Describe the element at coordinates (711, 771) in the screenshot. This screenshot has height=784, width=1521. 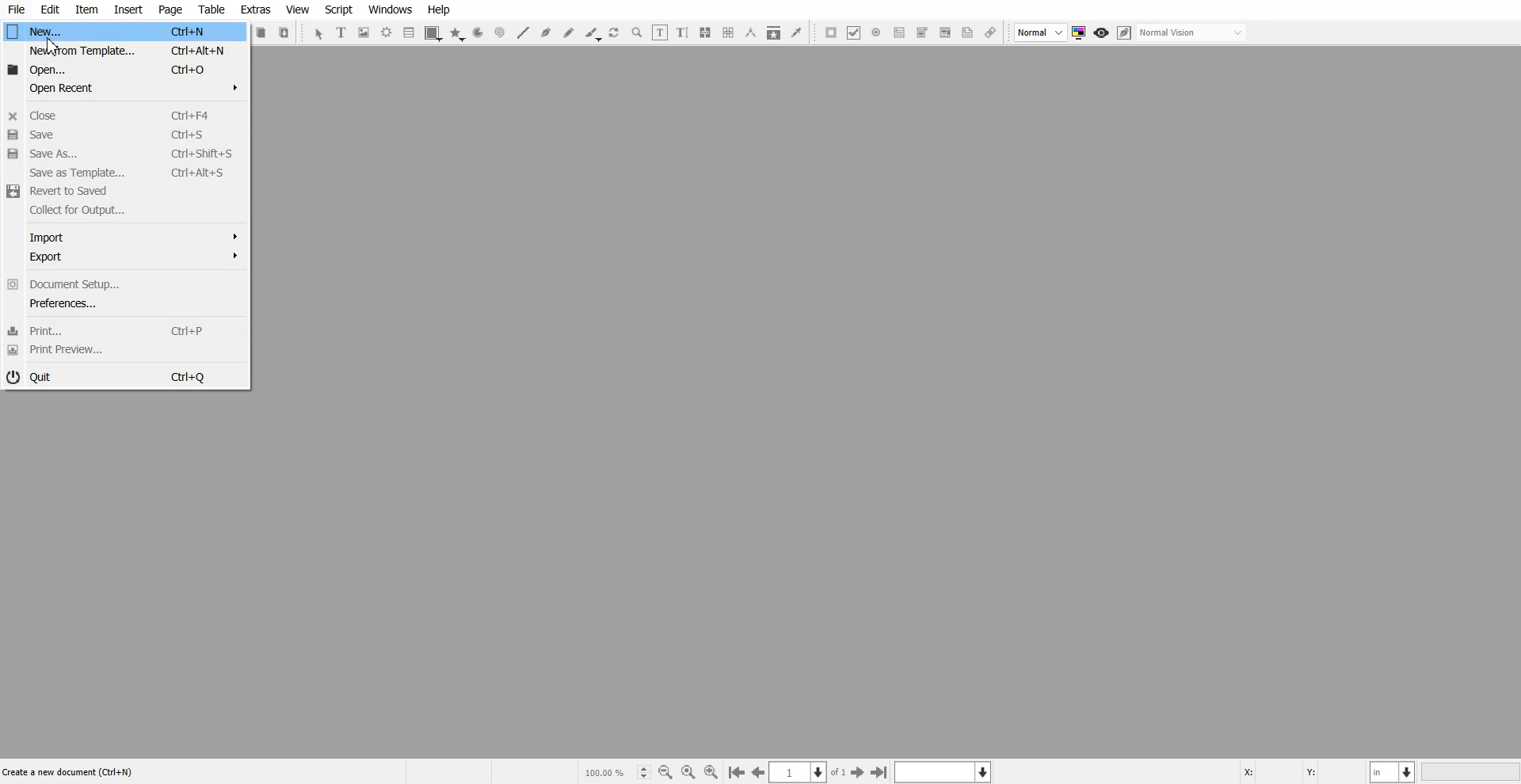
I see `Zoom In` at that location.